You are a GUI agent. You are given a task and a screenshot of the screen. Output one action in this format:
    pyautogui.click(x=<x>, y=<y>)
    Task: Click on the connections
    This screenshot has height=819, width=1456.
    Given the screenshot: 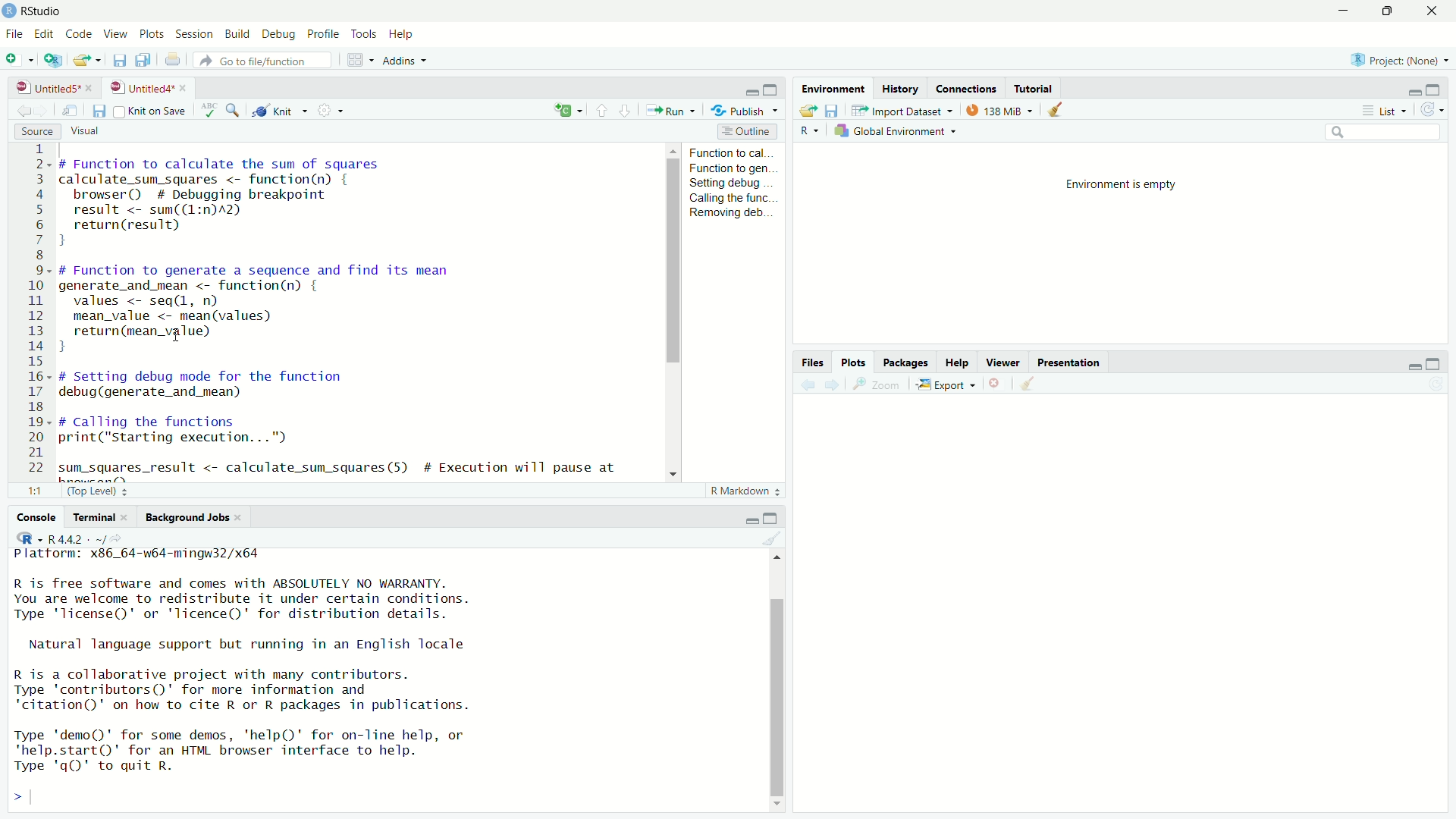 What is the action you would take?
    pyautogui.click(x=965, y=87)
    